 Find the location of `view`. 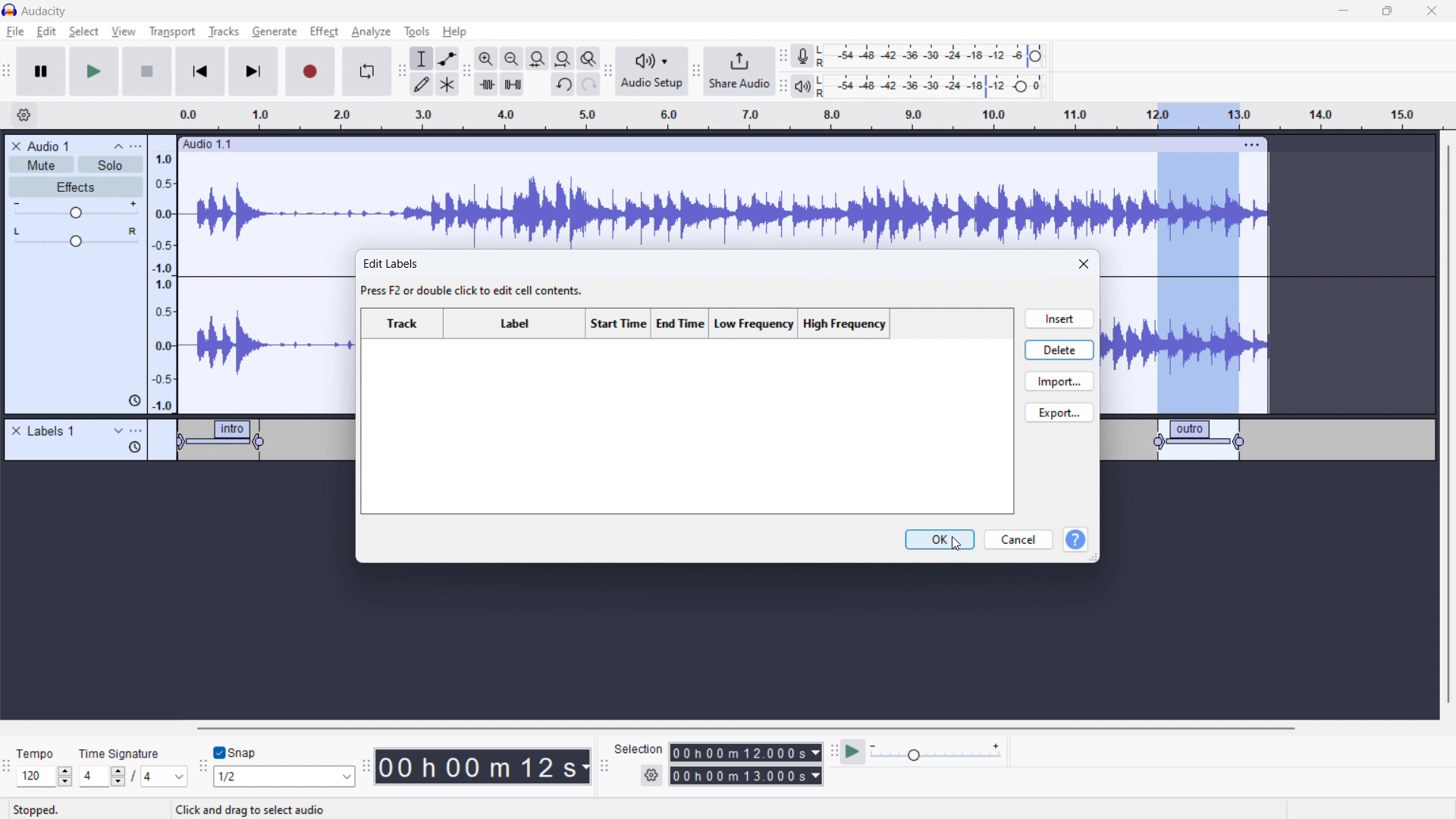

view is located at coordinates (124, 31).